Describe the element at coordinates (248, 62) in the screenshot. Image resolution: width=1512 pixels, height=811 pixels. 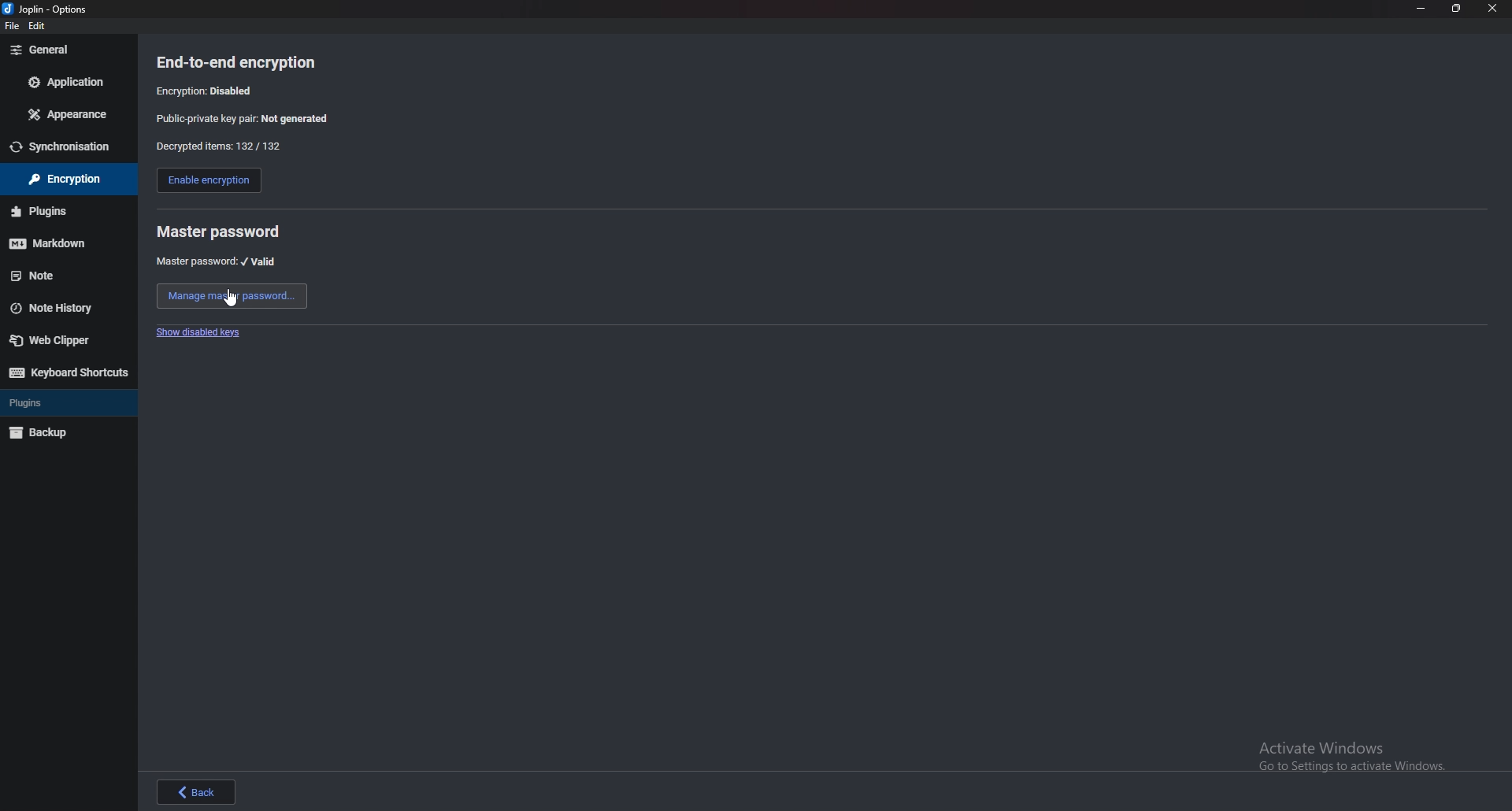
I see `end to end encryption` at that location.